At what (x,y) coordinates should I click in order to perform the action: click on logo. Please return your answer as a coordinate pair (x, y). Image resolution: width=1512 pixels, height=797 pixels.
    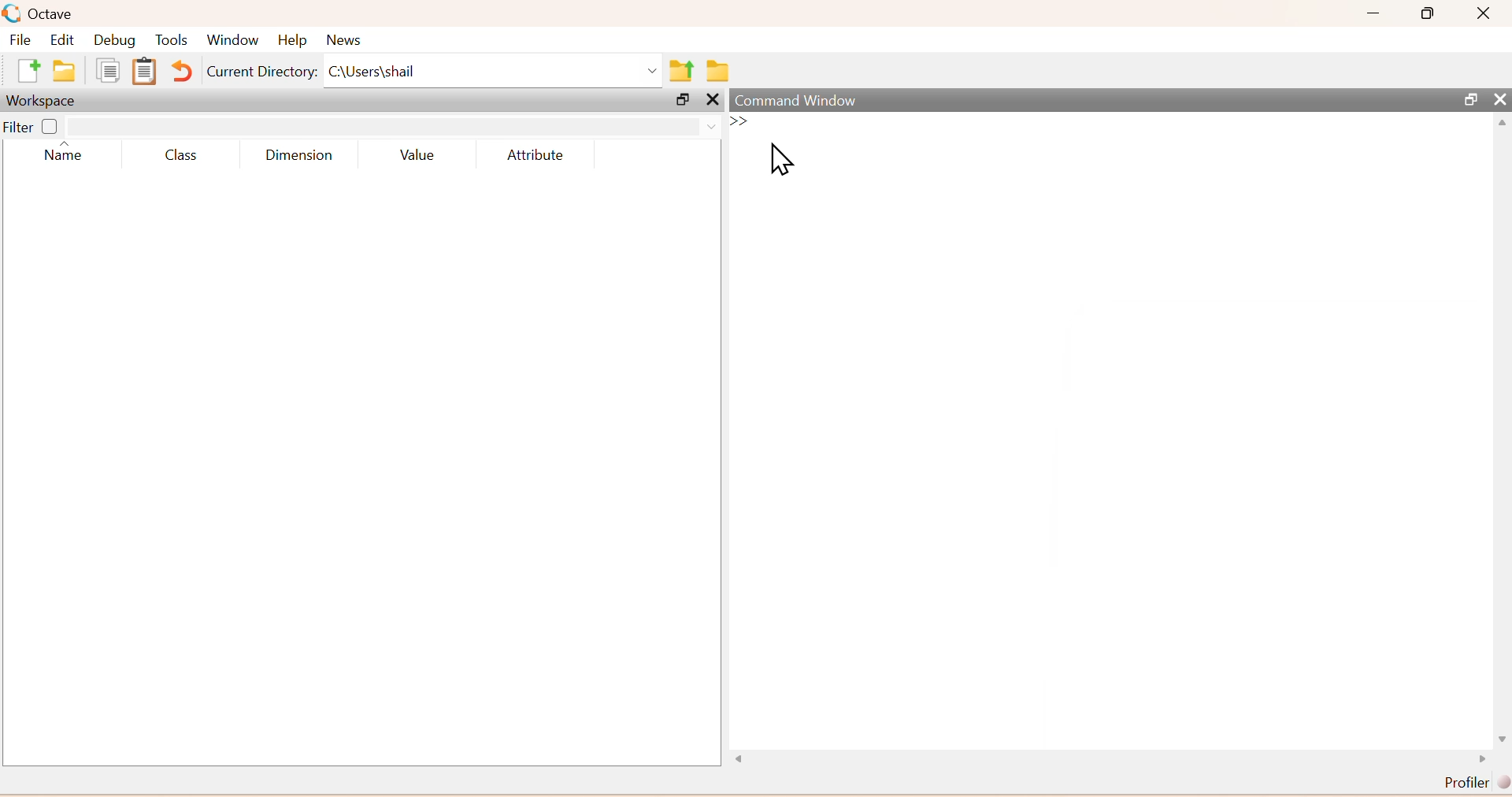
    Looking at the image, I should click on (13, 13).